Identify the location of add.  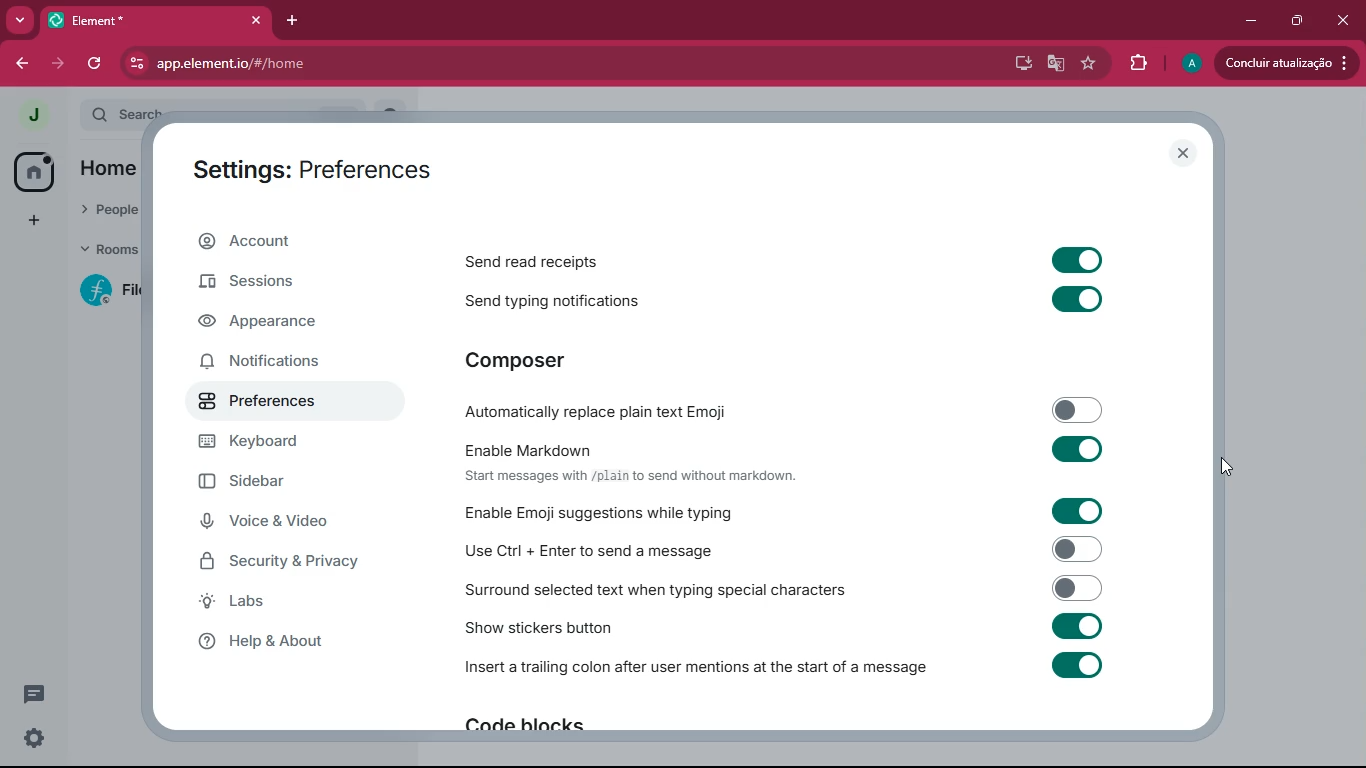
(31, 222).